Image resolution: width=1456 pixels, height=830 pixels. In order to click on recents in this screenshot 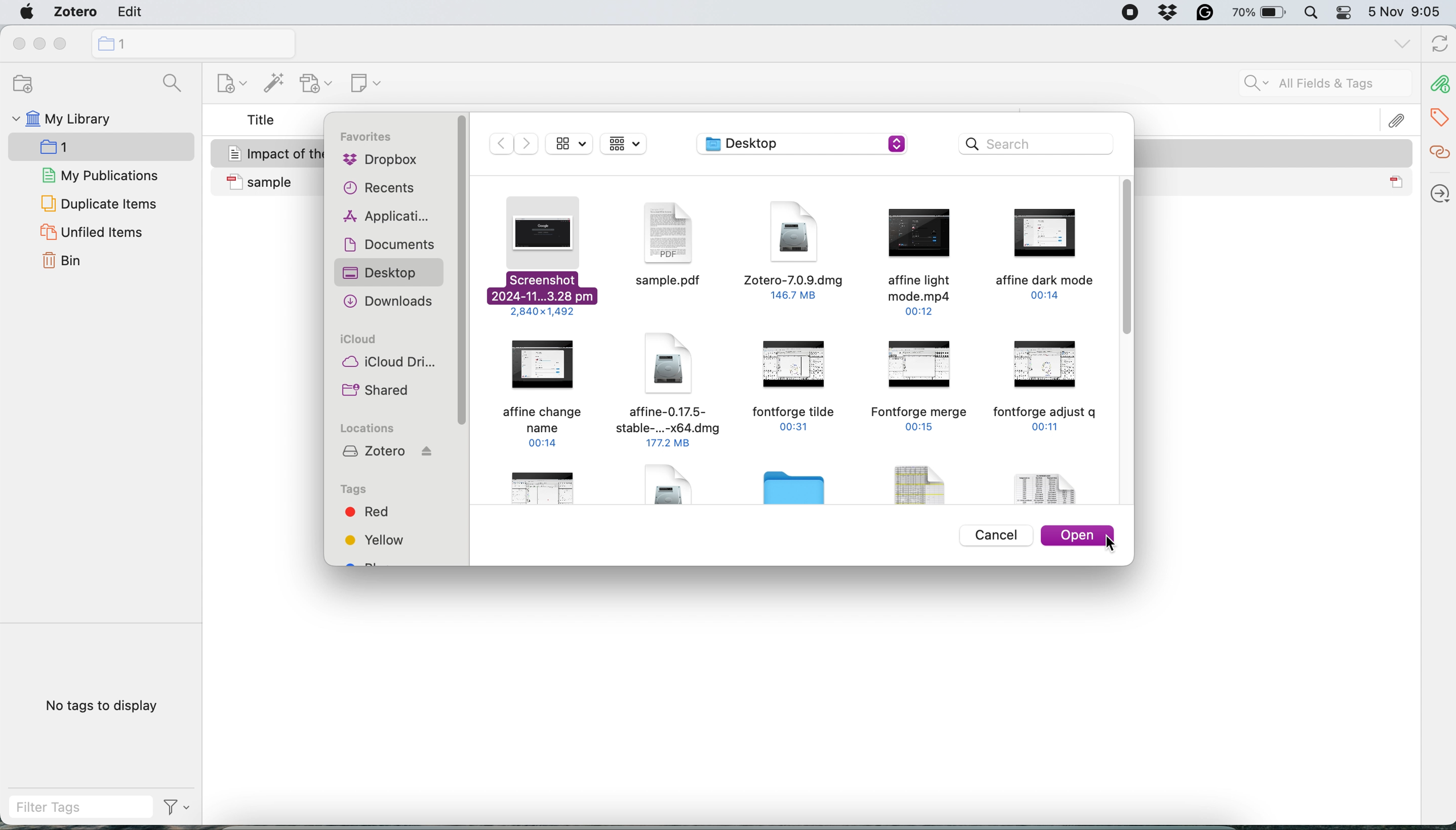, I will do `click(379, 189)`.